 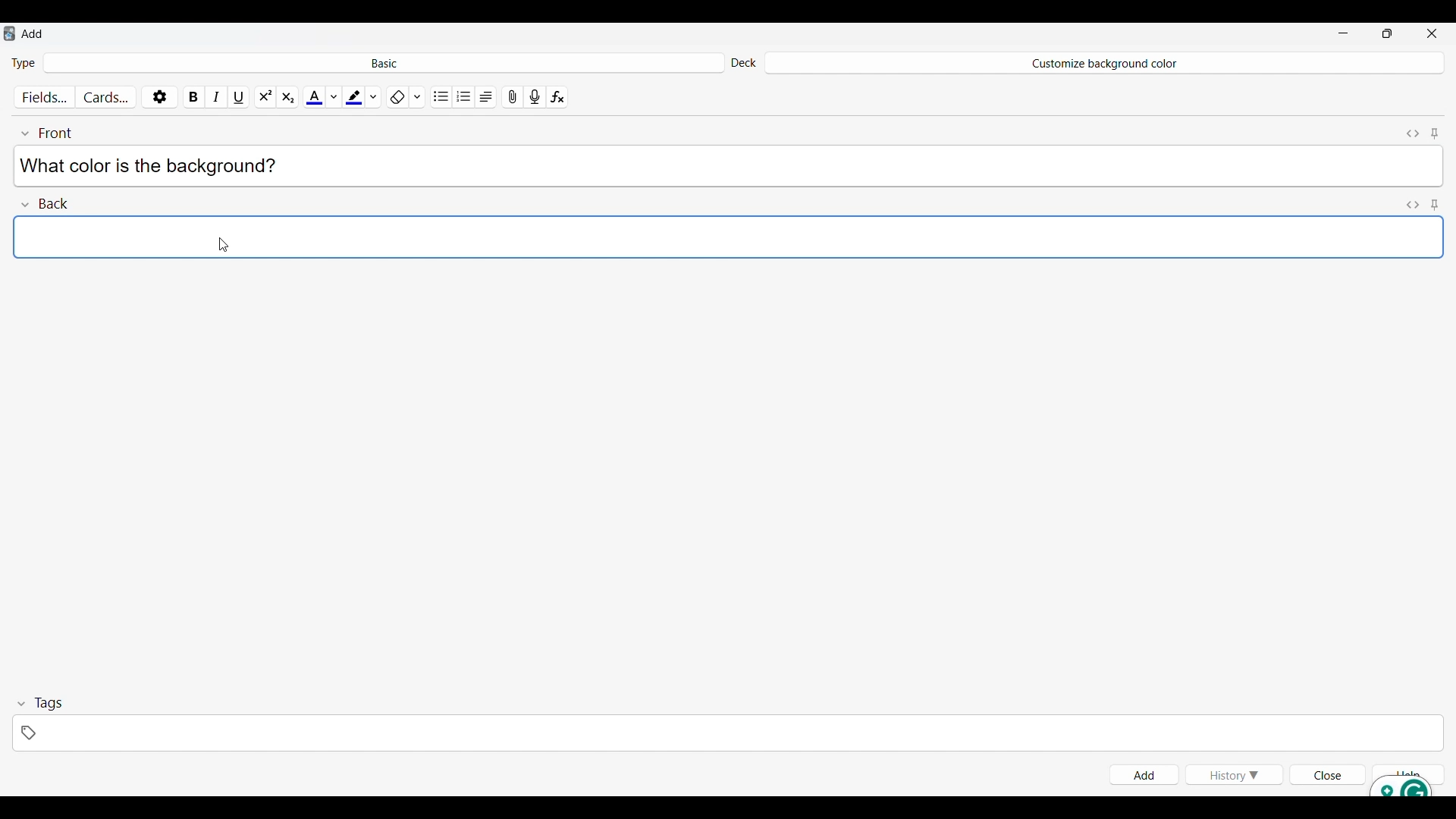 I want to click on Italics, so click(x=217, y=95).